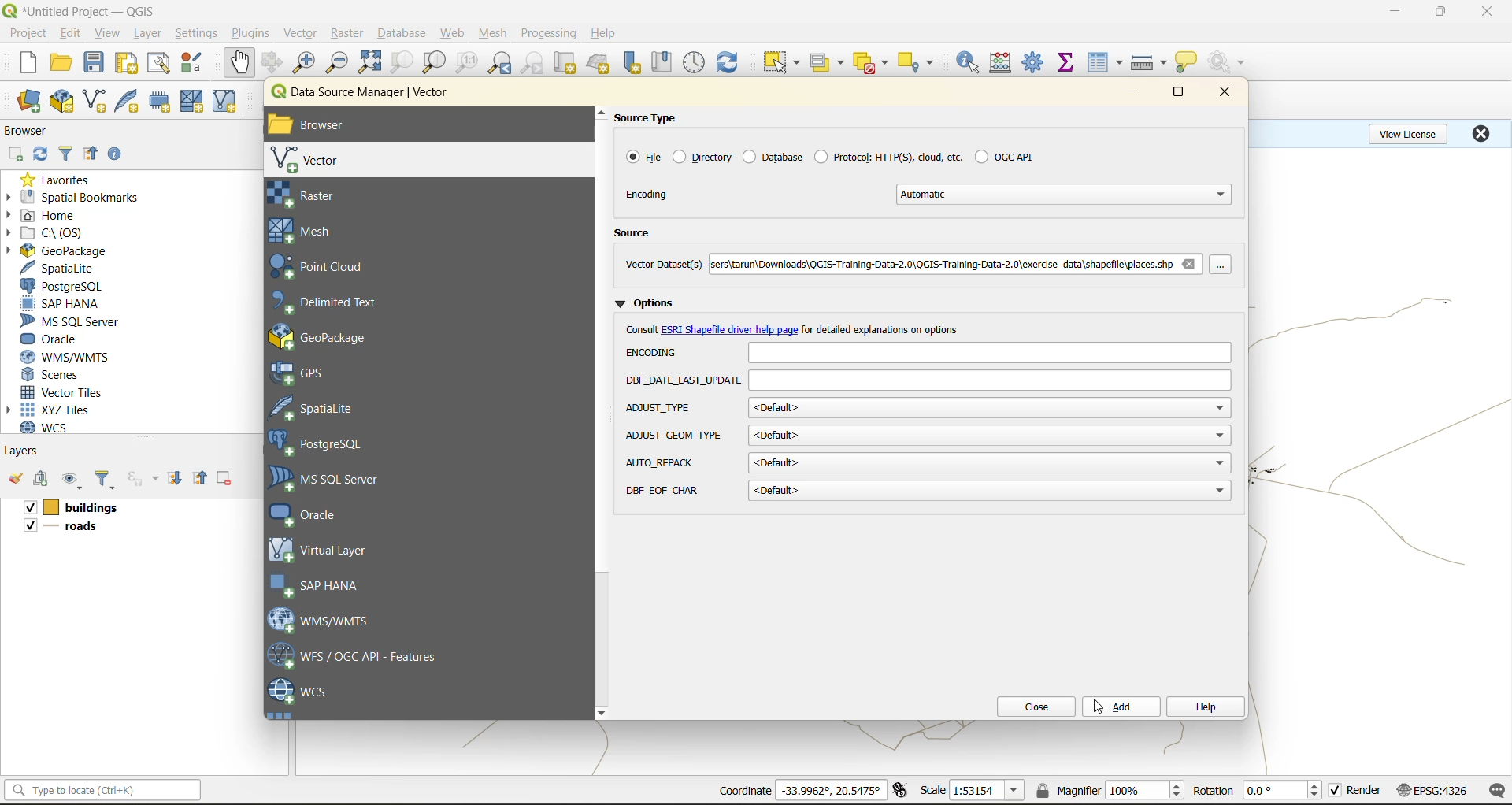  I want to click on plugins, so click(254, 32).